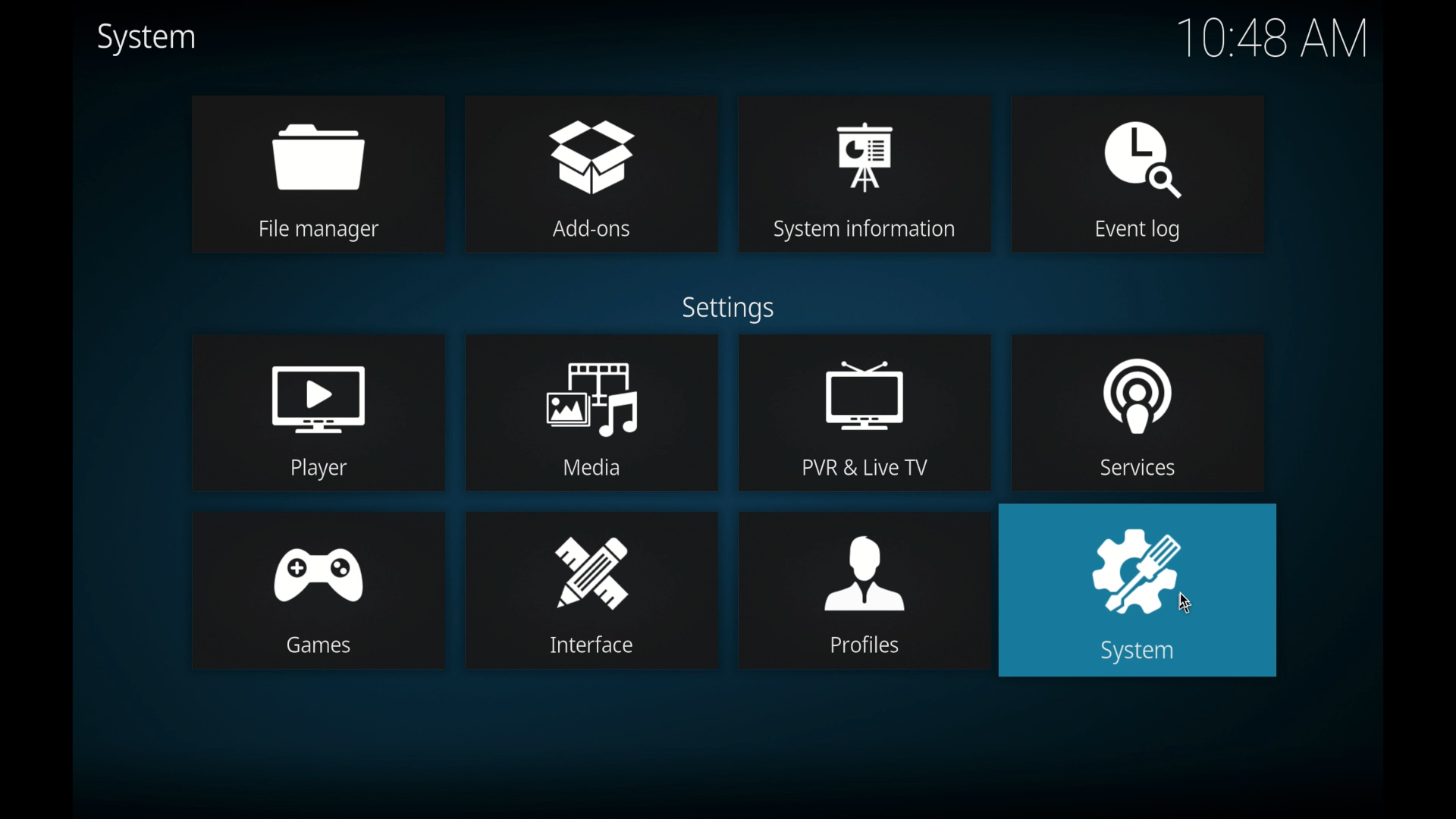  I want to click on interface, so click(592, 591).